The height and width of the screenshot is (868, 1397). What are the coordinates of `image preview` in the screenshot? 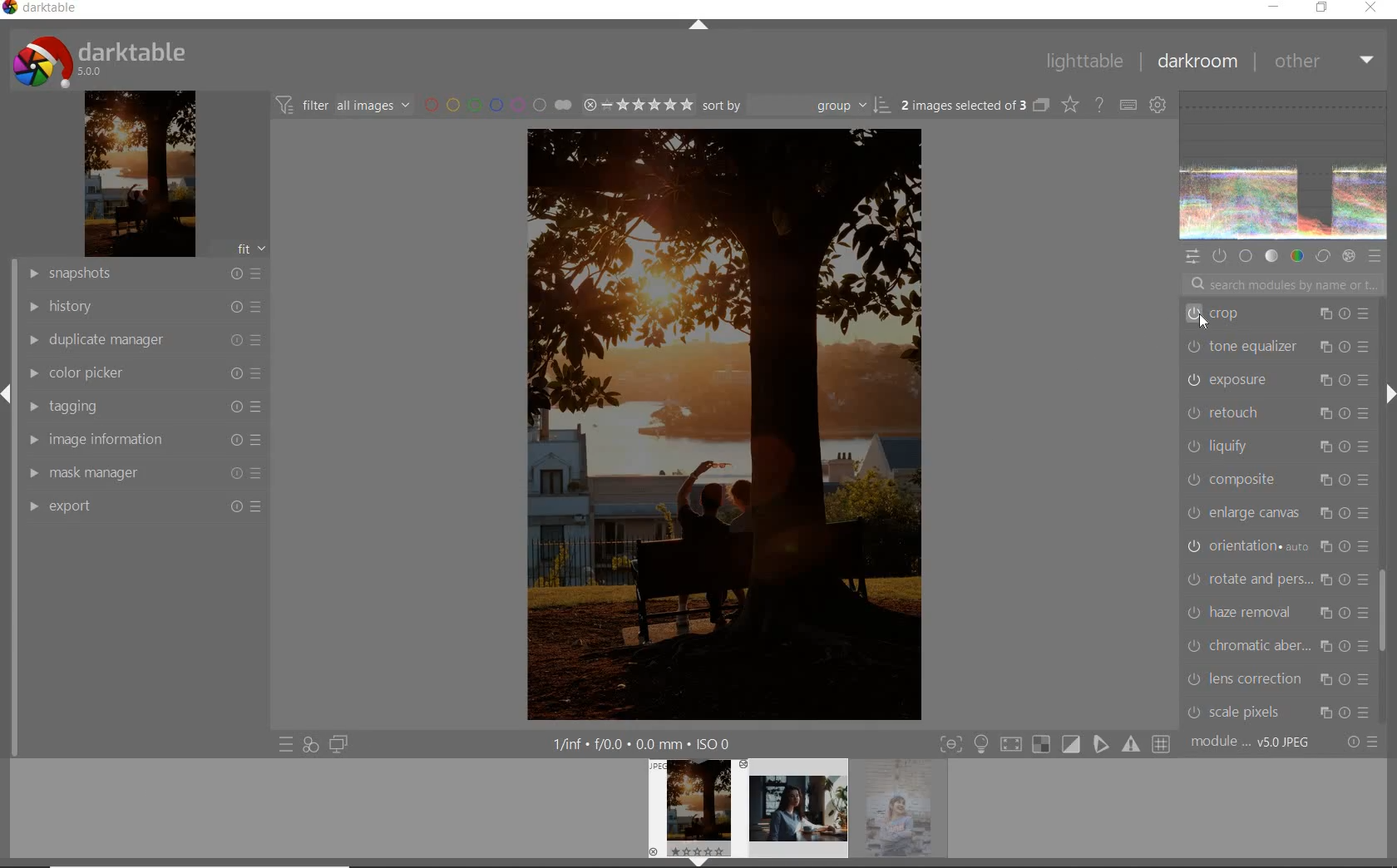 It's located at (906, 813).